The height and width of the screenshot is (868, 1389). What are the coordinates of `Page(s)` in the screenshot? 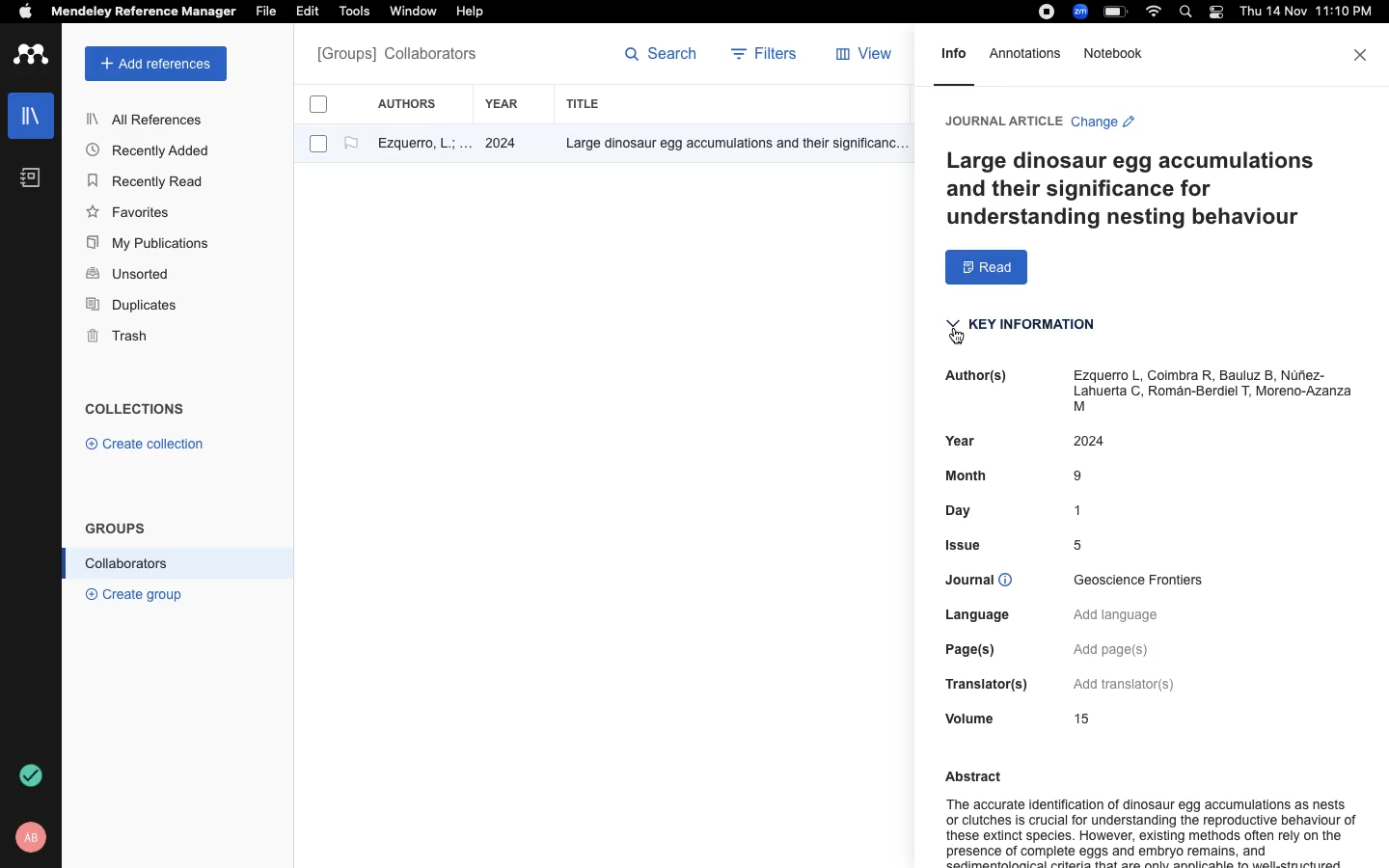 It's located at (981, 650).